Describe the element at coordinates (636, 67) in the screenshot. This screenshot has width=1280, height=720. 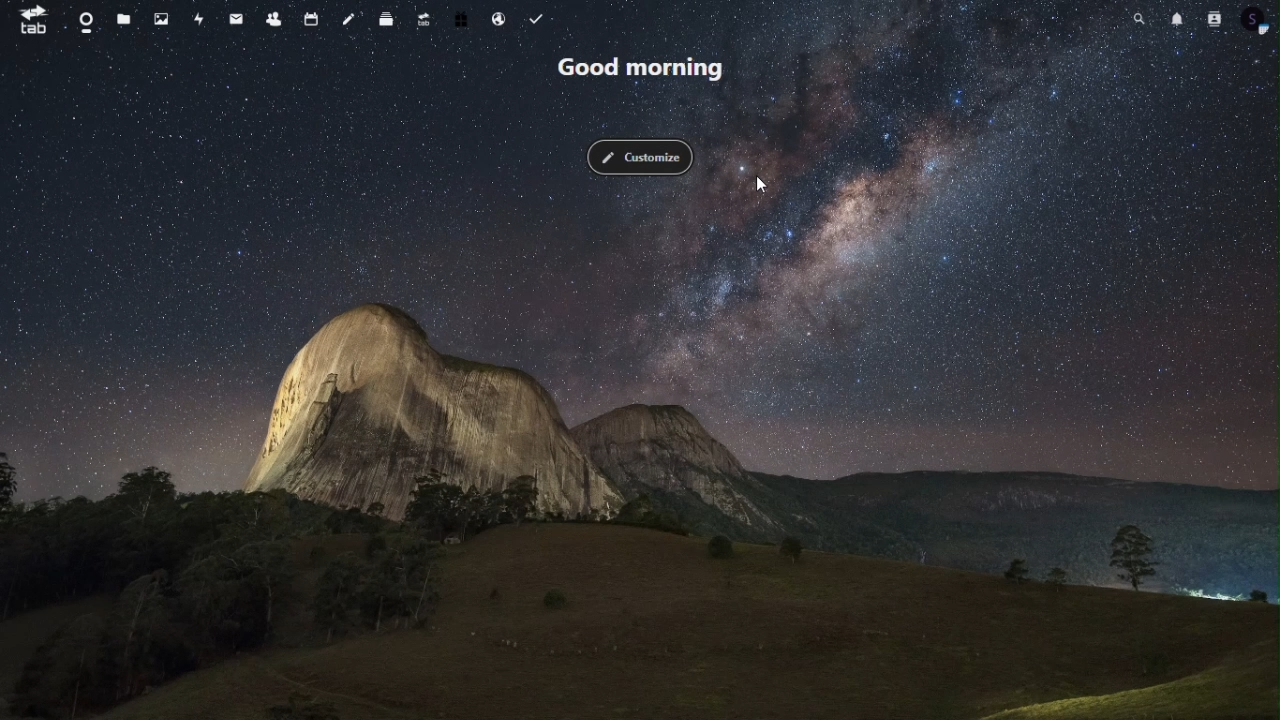
I see `good morning` at that location.